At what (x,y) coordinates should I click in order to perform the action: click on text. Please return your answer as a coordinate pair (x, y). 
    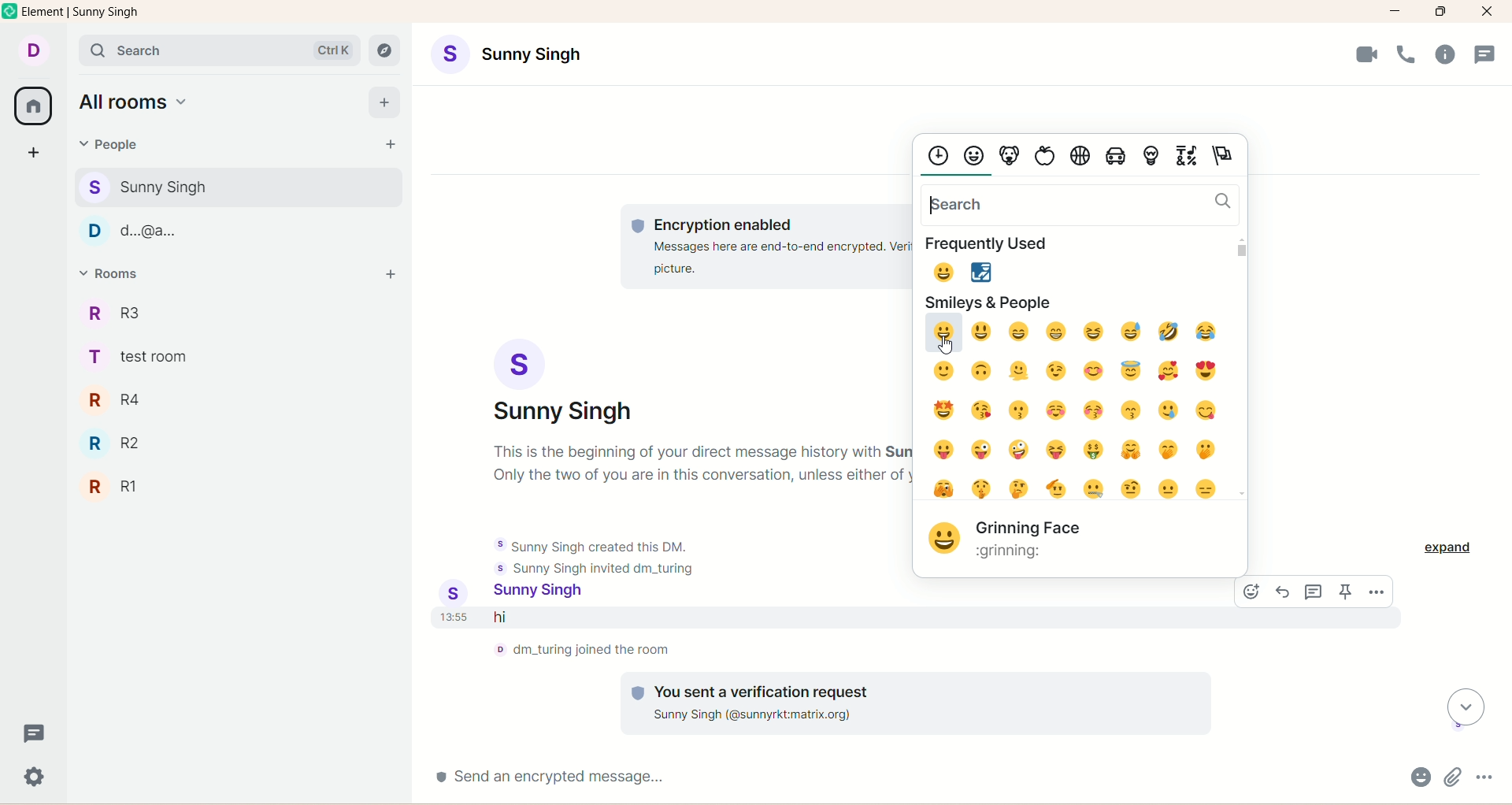
    Looking at the image, I should click on (916, 703).